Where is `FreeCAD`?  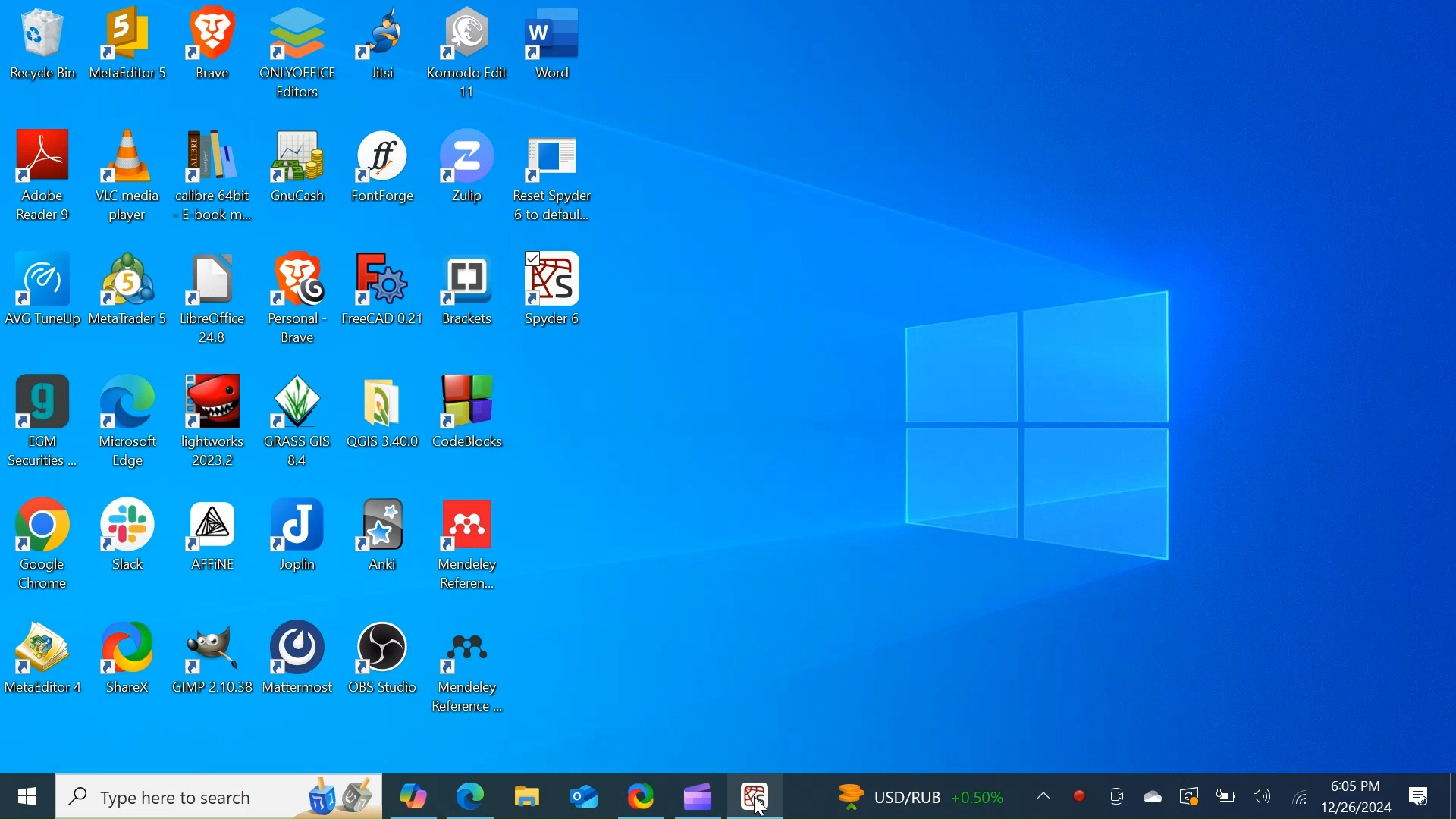 FreeCAD is located at coordinates (381, 300).